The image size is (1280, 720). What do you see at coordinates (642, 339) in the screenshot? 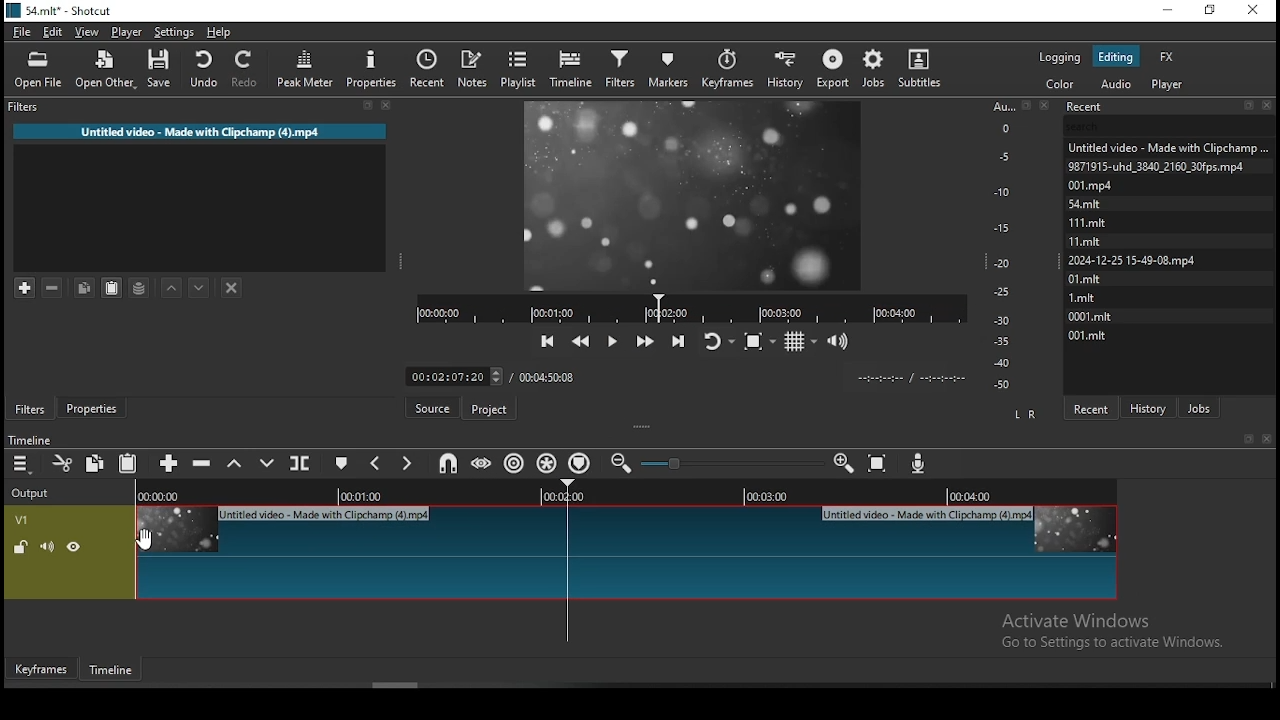
I see `play quickly forwards` at bounding box center [642, 339].